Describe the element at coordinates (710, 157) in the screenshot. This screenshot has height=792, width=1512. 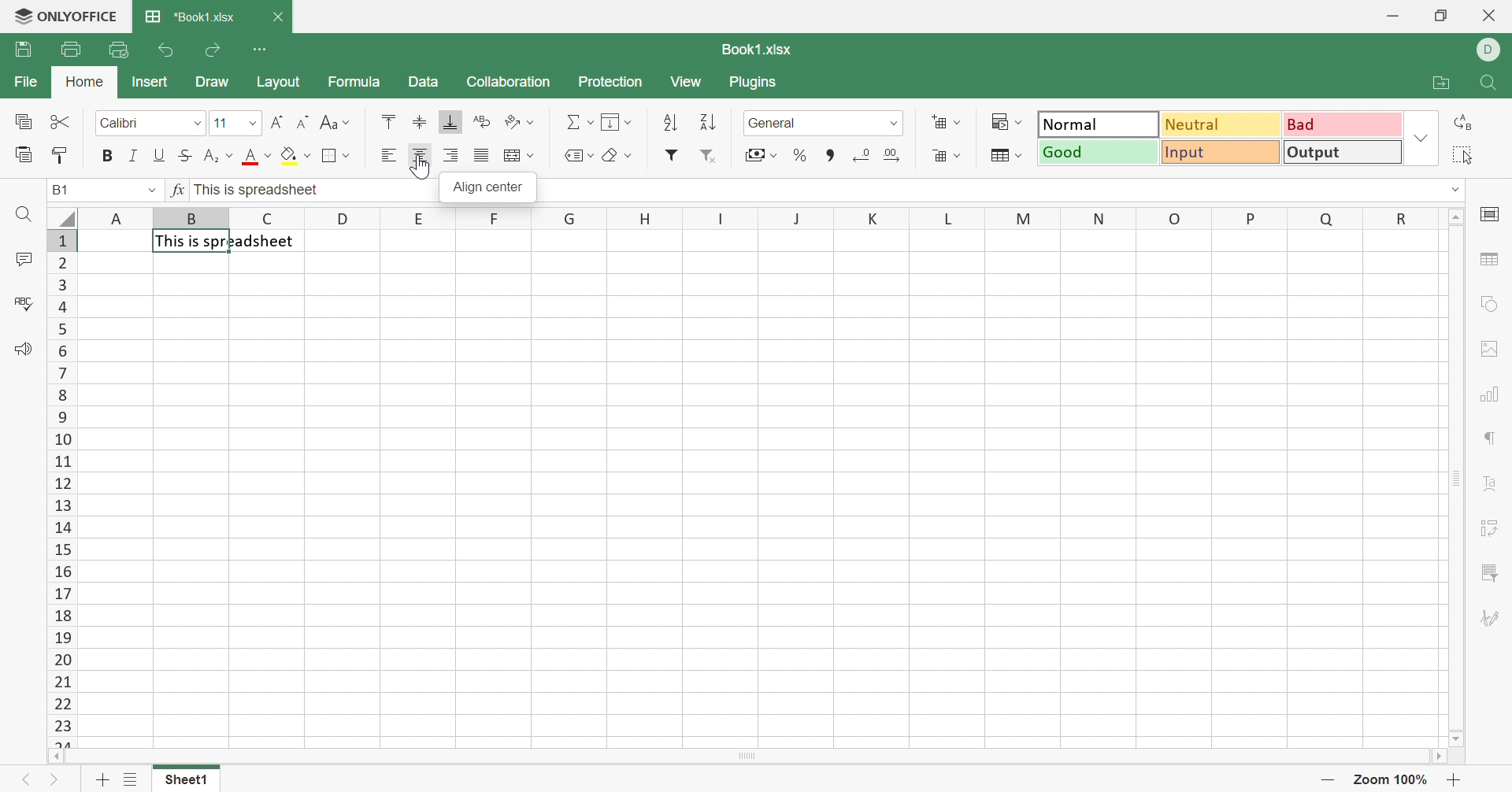
I see `Remove filter` at that location.